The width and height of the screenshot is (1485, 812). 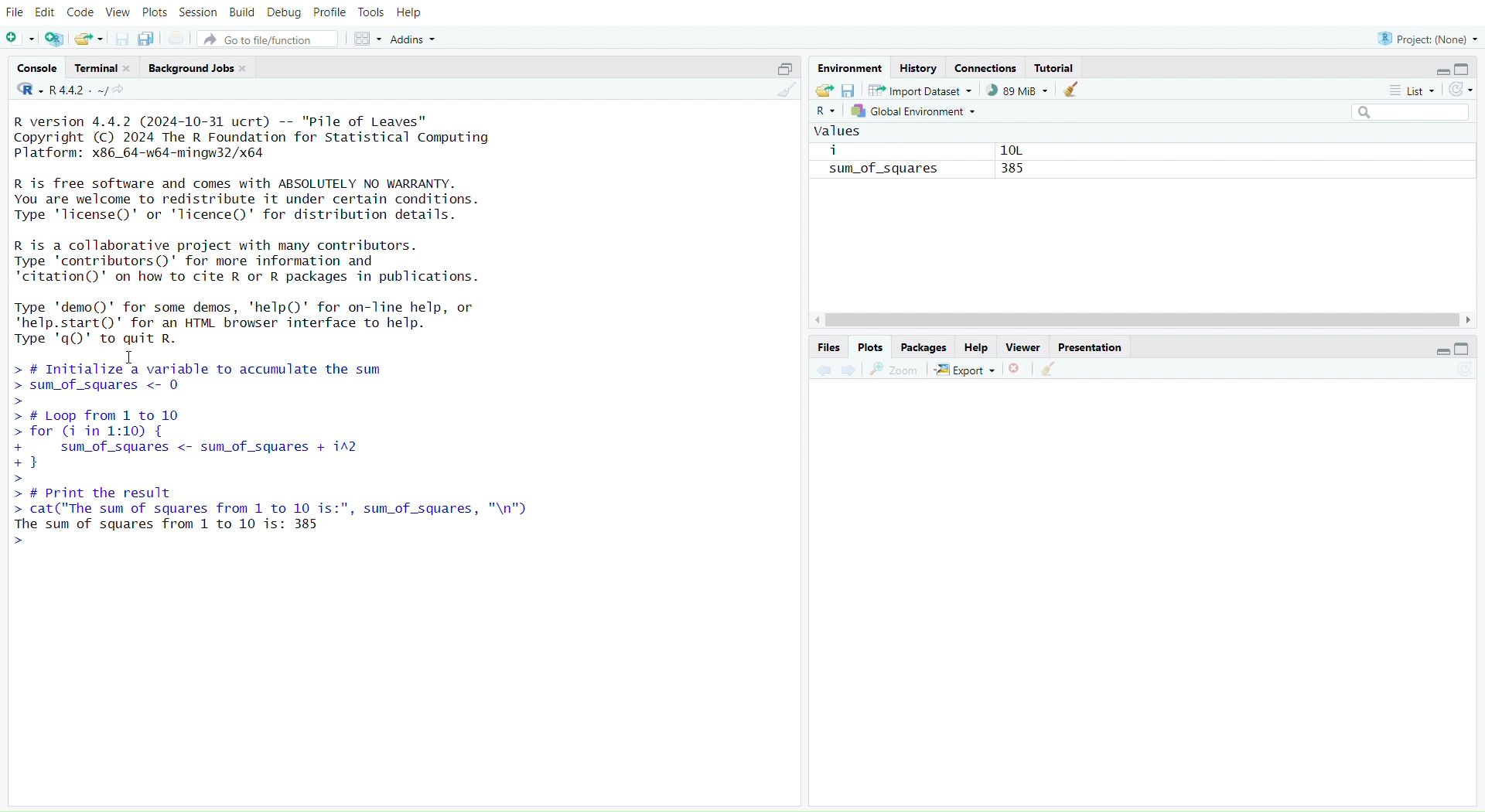 What do you see at coordinates (20, 40) in the screenshot?
I see `new script` at bounding box center [20, 40].